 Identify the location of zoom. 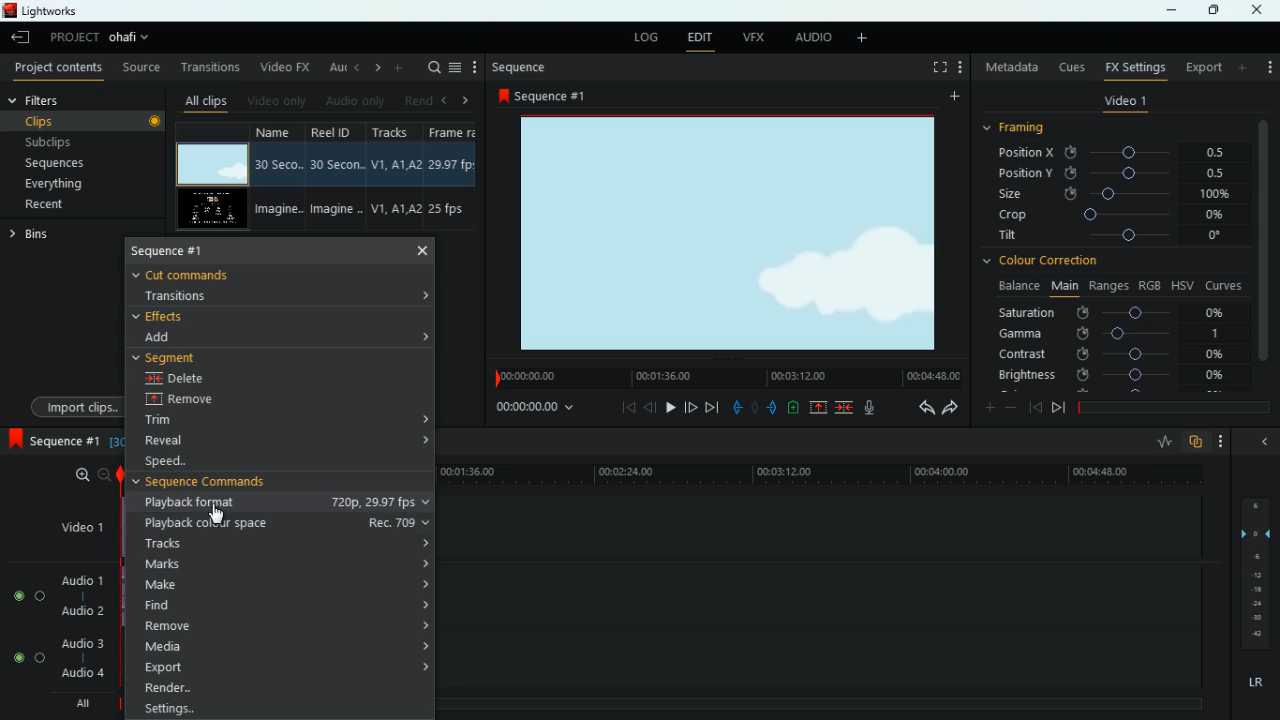
(85, 476).